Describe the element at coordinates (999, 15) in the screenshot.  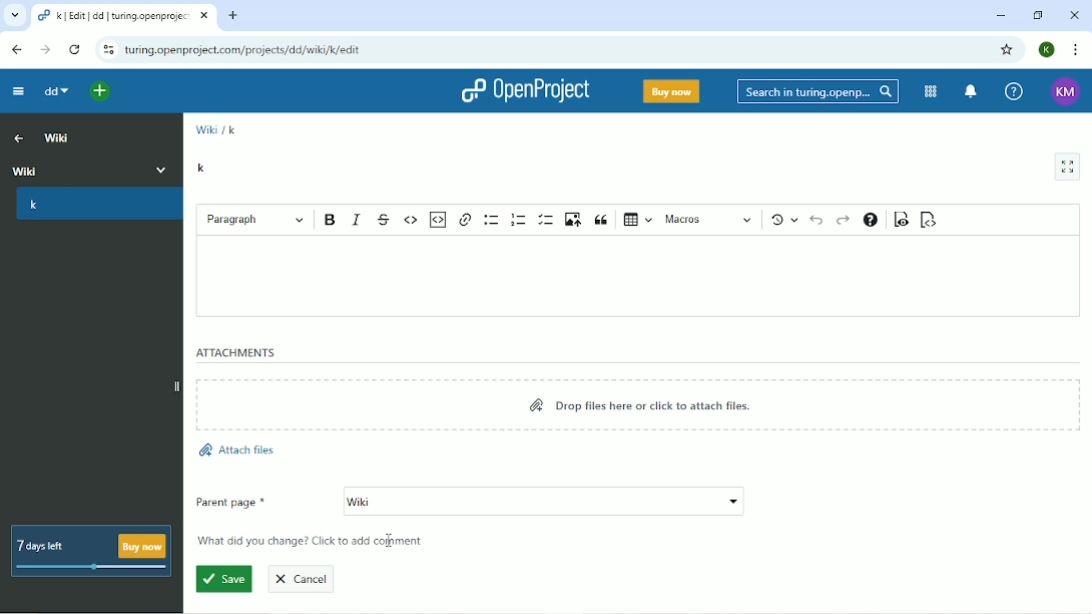
I see `Minimize` at that location.